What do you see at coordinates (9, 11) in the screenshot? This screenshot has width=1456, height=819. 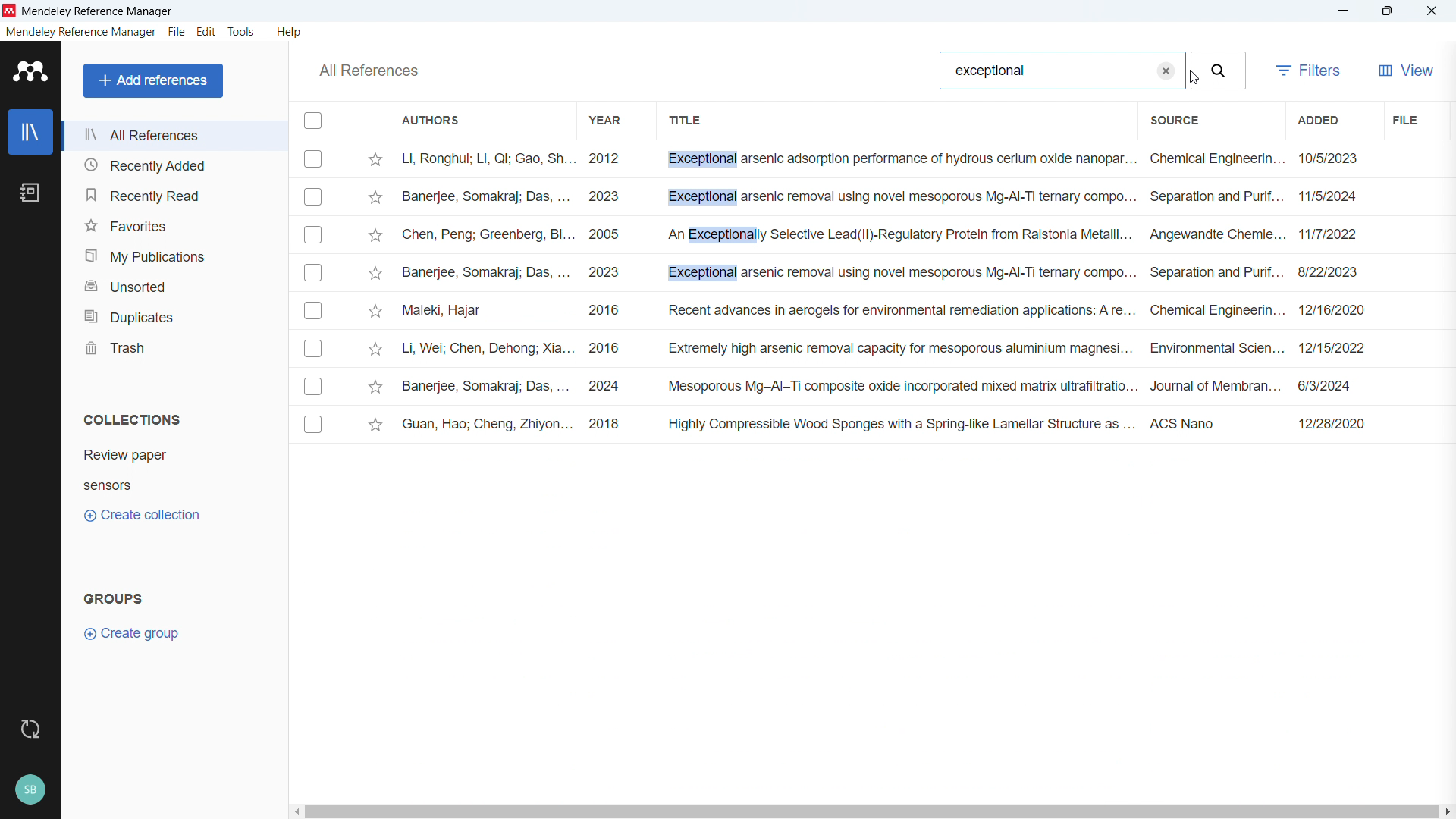 I see `logo` at bounding box center [9, 11].